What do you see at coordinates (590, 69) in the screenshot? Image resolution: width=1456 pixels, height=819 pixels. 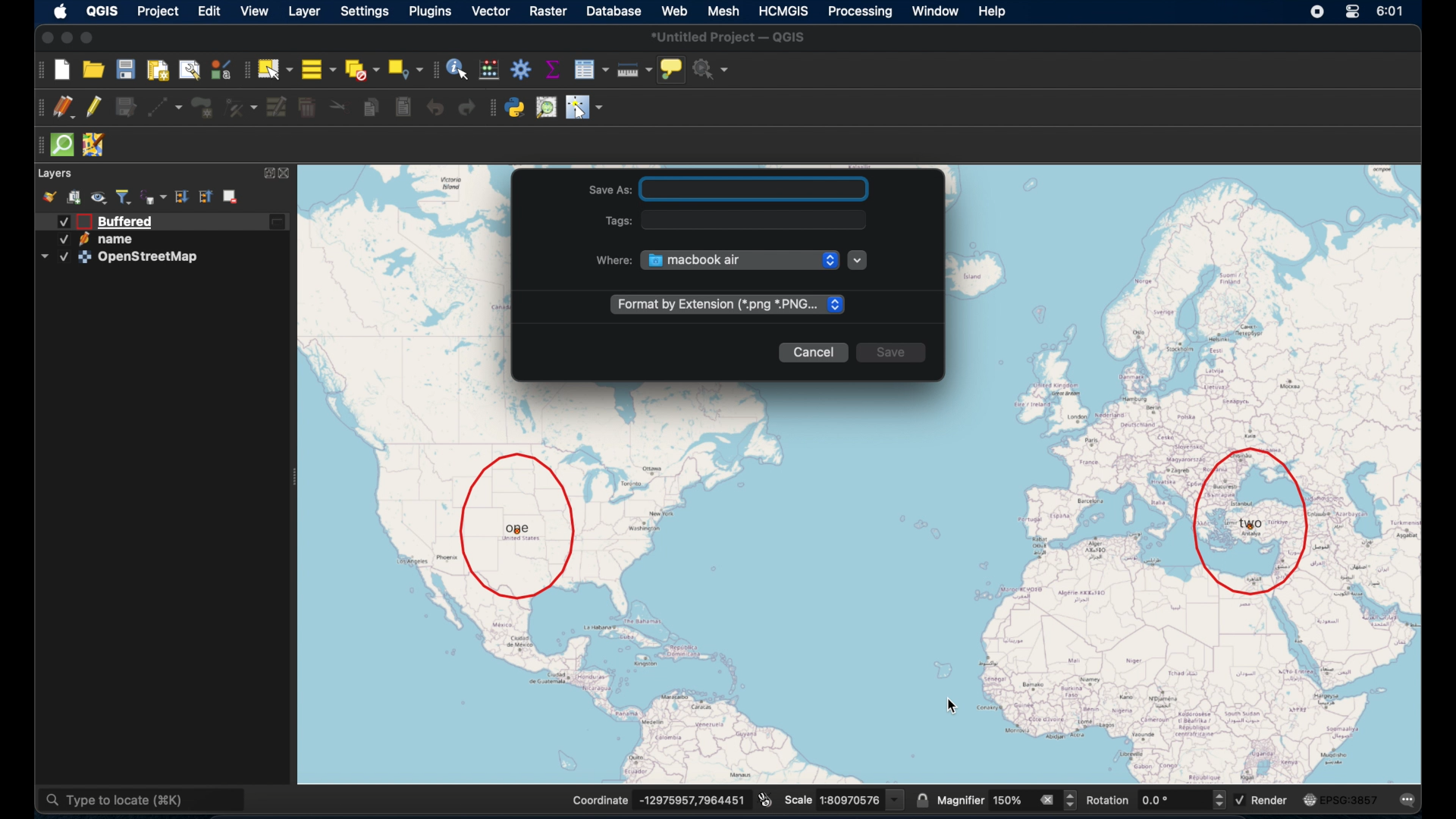 I see `open attribute table` at bounding box center [590, 69].